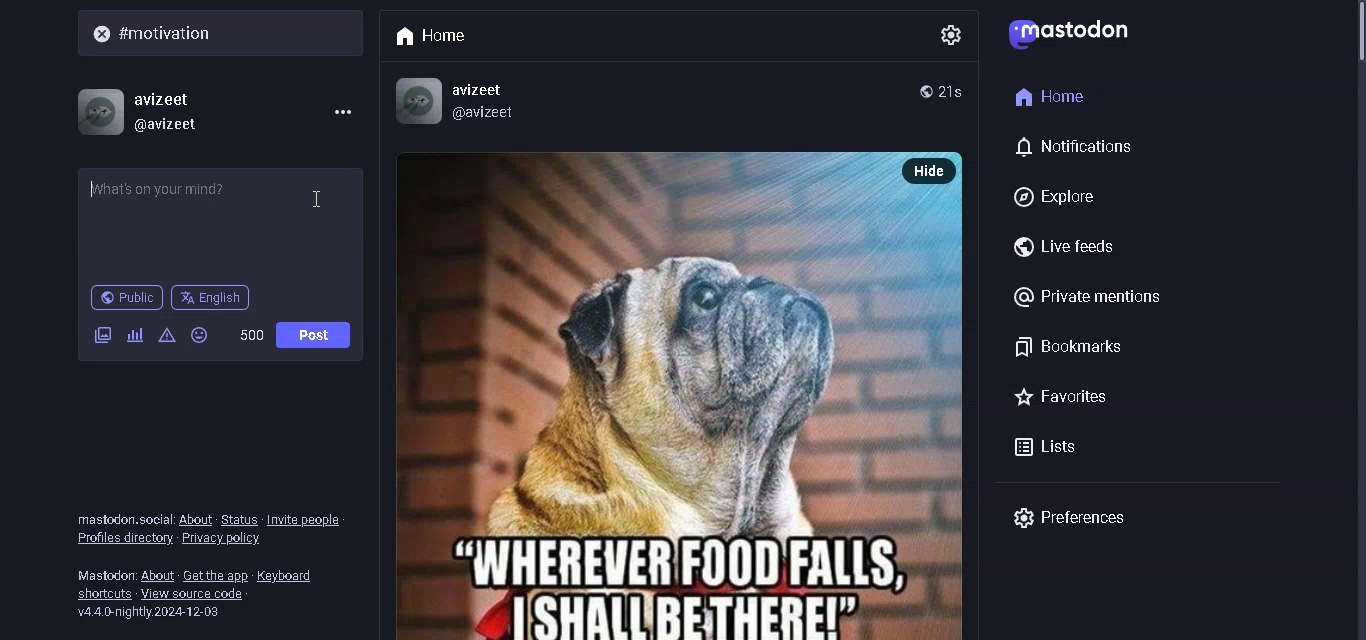 This screenshot has width=1366, height=640. What do you see at coordinates (153, 613) in the screenshot?
I see `version` at bounding box center [153, 613].